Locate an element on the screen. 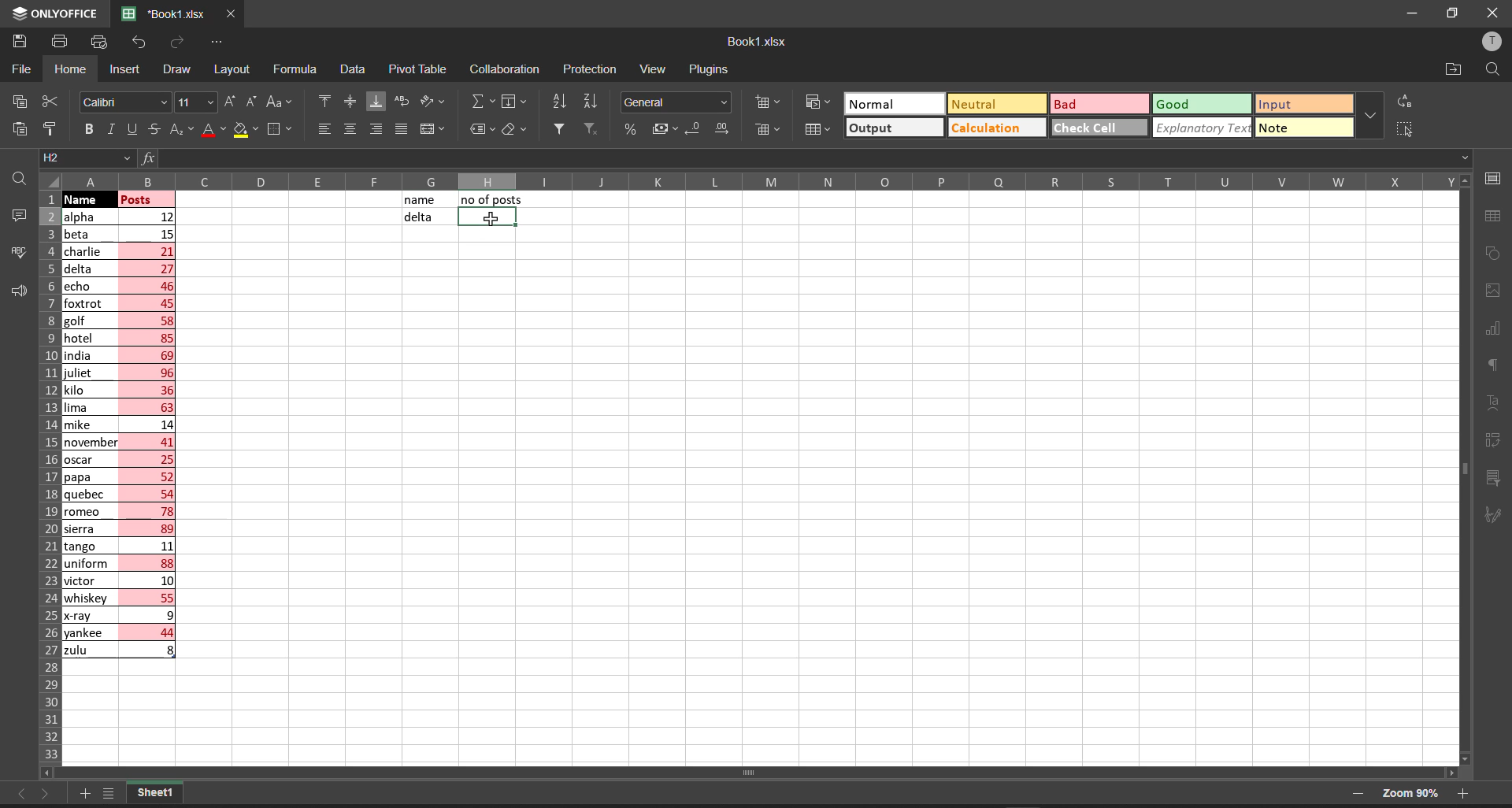 The width and height of the screenshot is (1512, 808). list of sheets is located at coordinates (113, 795).